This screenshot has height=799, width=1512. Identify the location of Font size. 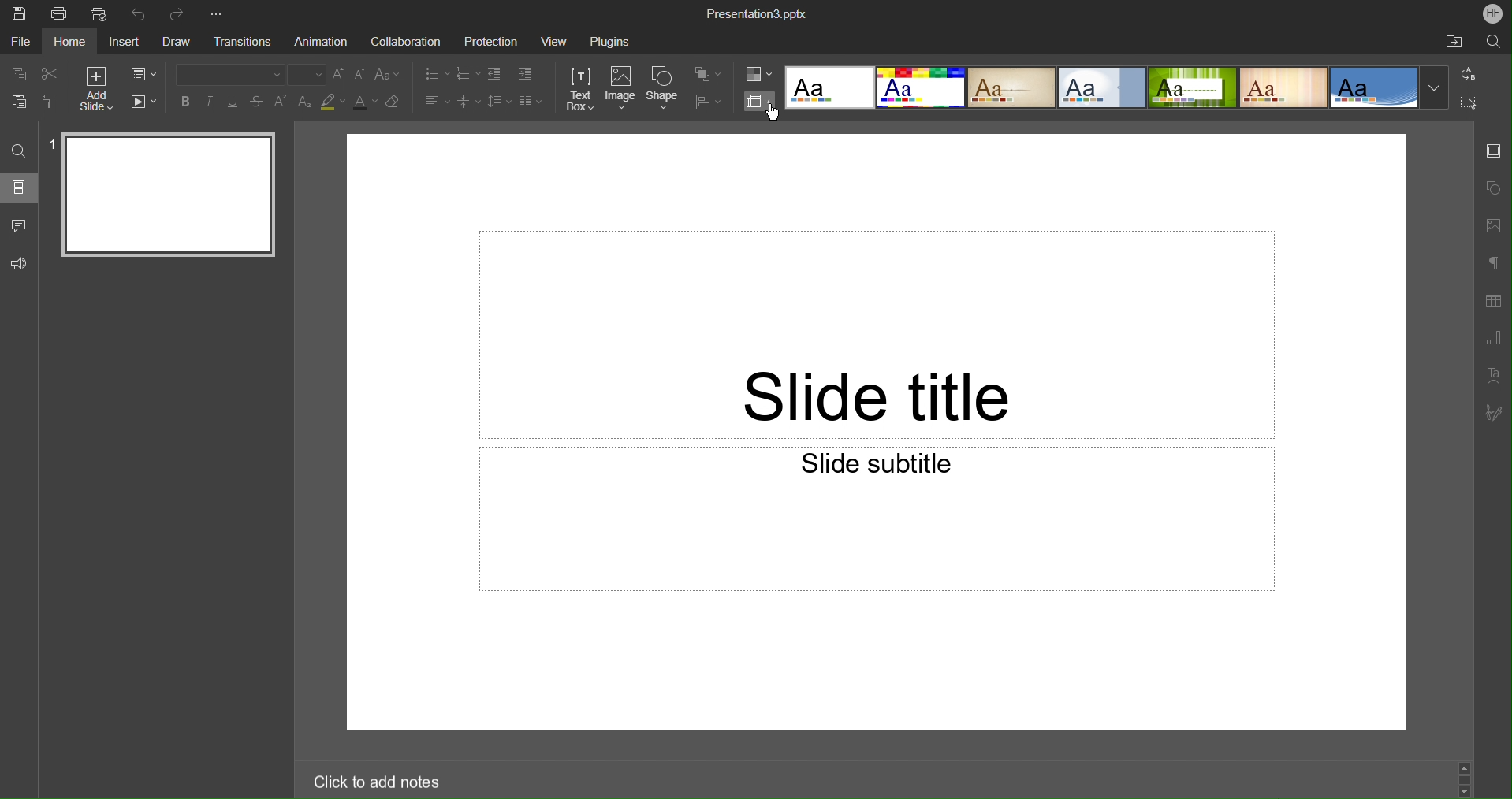
(307, 74).